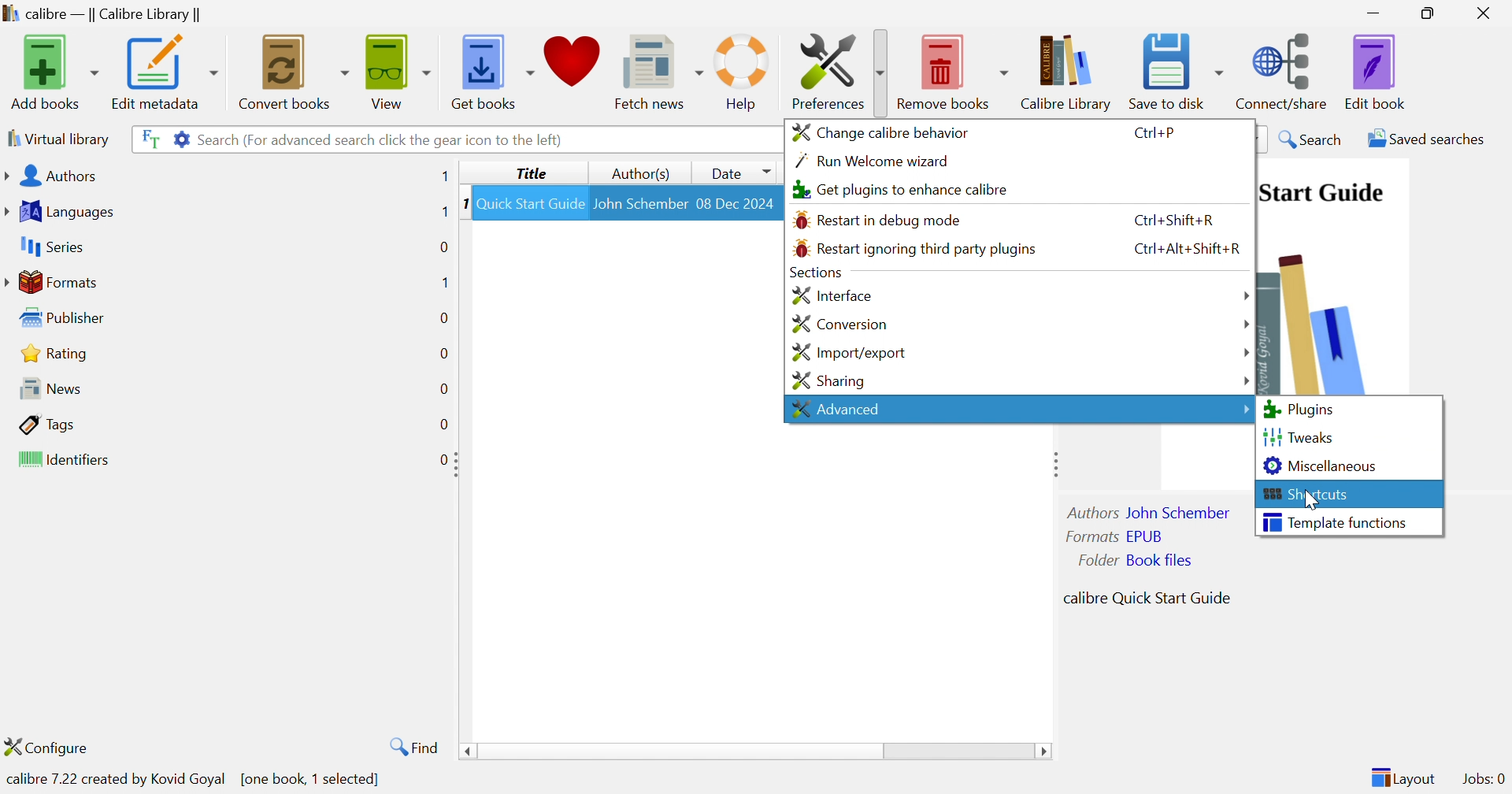 This screenshot has width=1512, height=794. What do you see at coordinates (574, 66) in the screenshot?
I see `Donate to support calibre` at bounding box center [574, 66].